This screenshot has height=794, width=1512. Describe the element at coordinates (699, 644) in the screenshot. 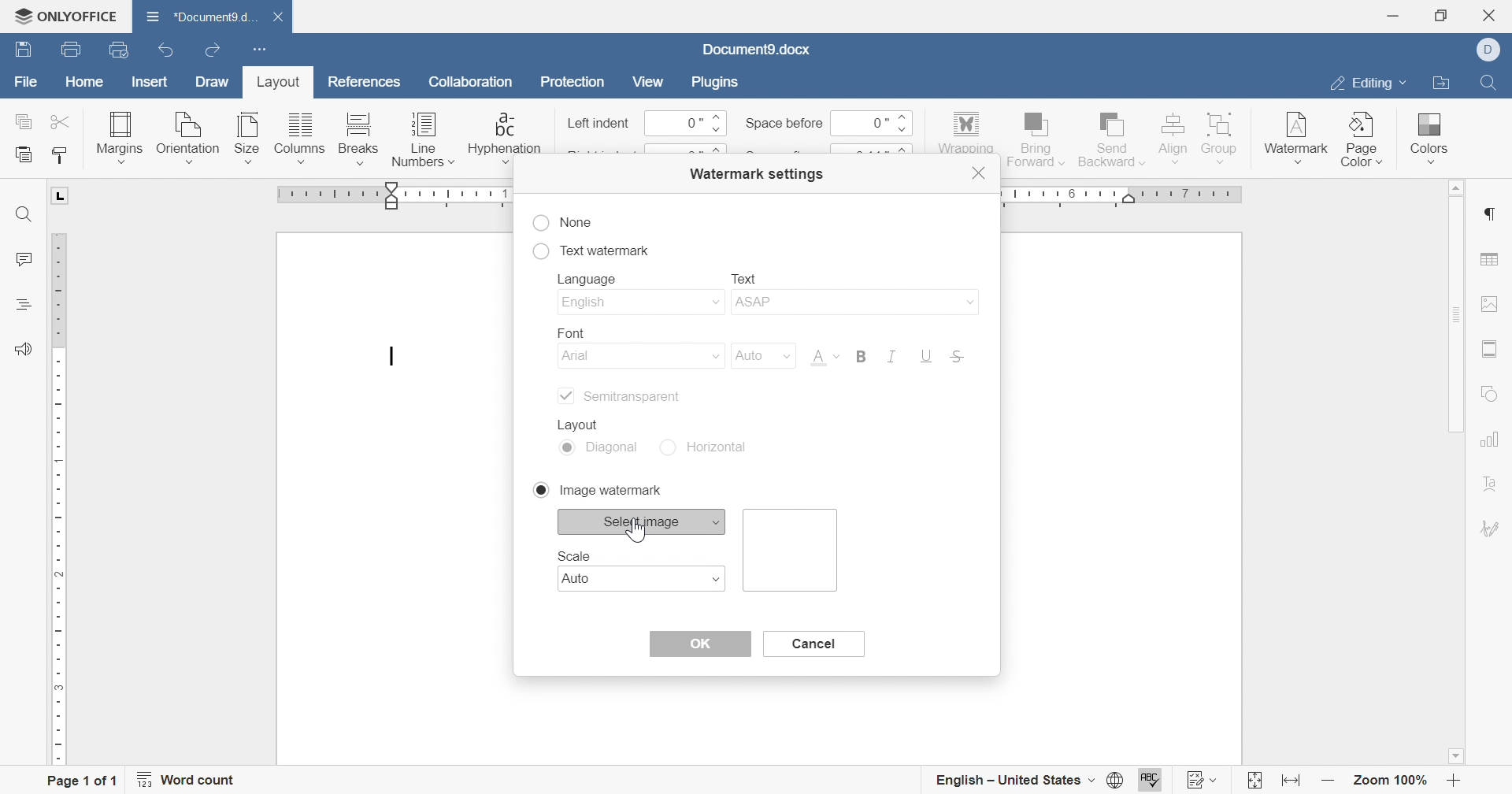

I see `OK` at that location.